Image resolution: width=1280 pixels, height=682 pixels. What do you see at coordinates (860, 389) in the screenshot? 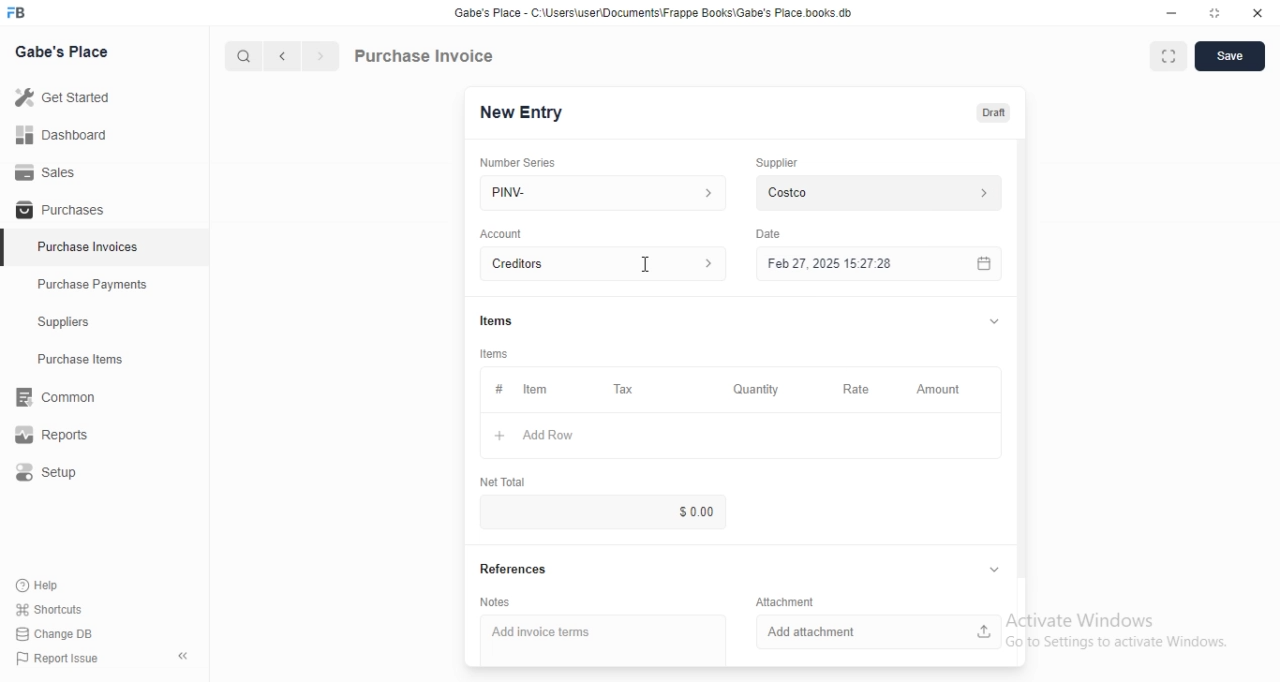
I see `Rate` at bounding box center [860, 389].